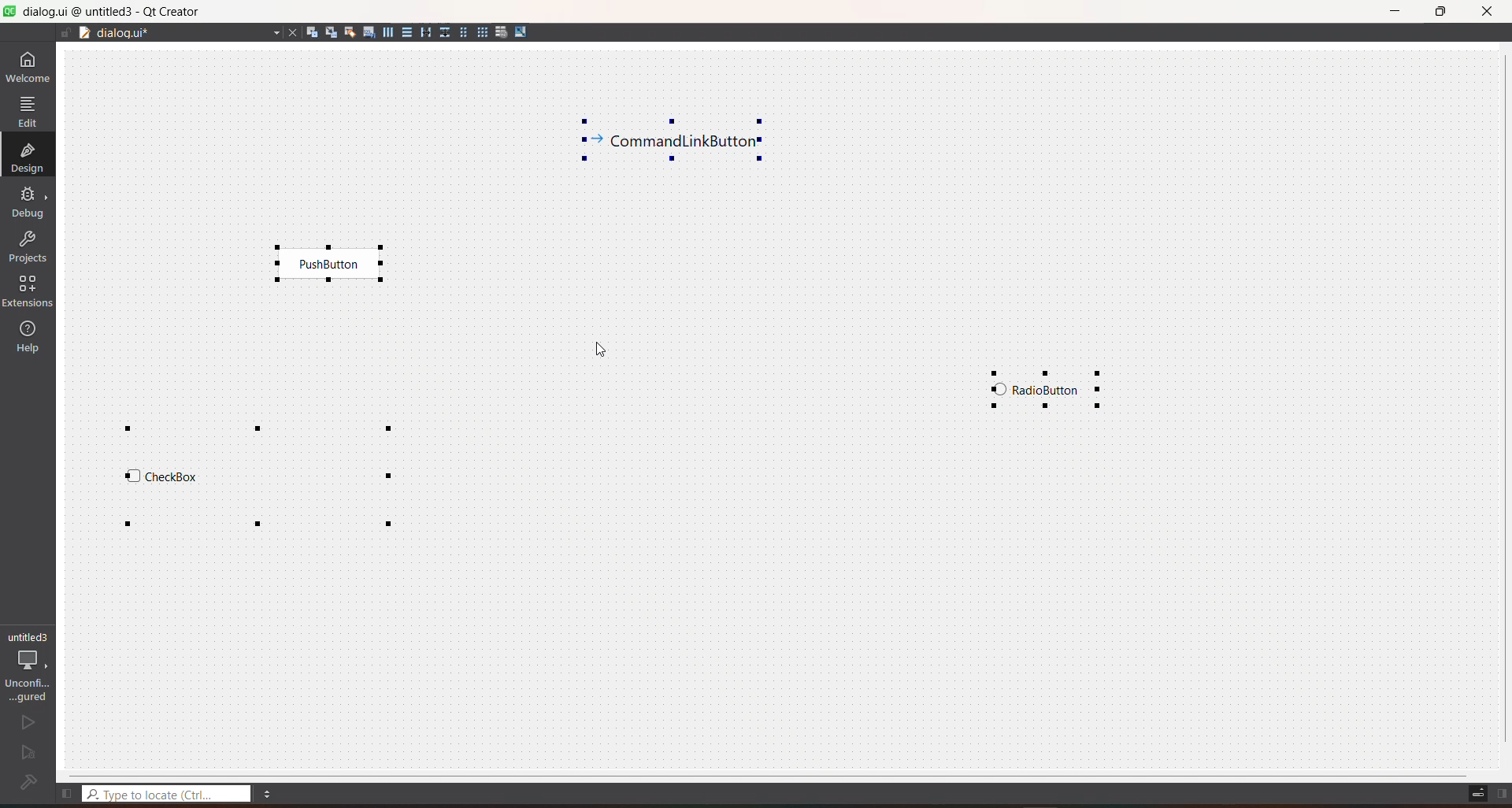 This screenshot has width=1512, height=808. What do you see at coordinates (27, 157) in the screenshot?
I see `design` at bounding box center [27, 157].